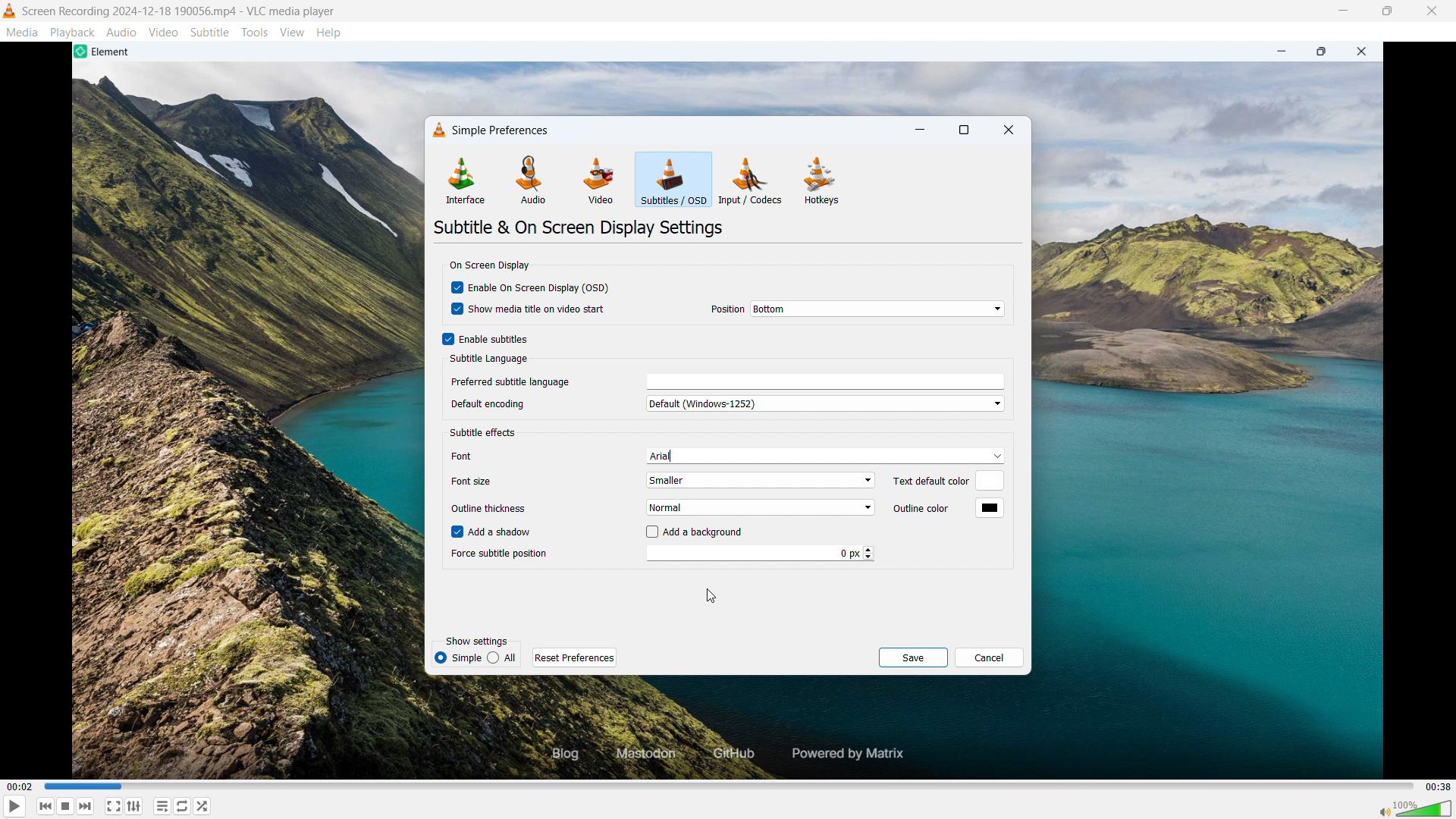 The image size is (1456, 819). Describe the element at coordinates (486, 434) in the screenshot. I see `font default color` at that location.